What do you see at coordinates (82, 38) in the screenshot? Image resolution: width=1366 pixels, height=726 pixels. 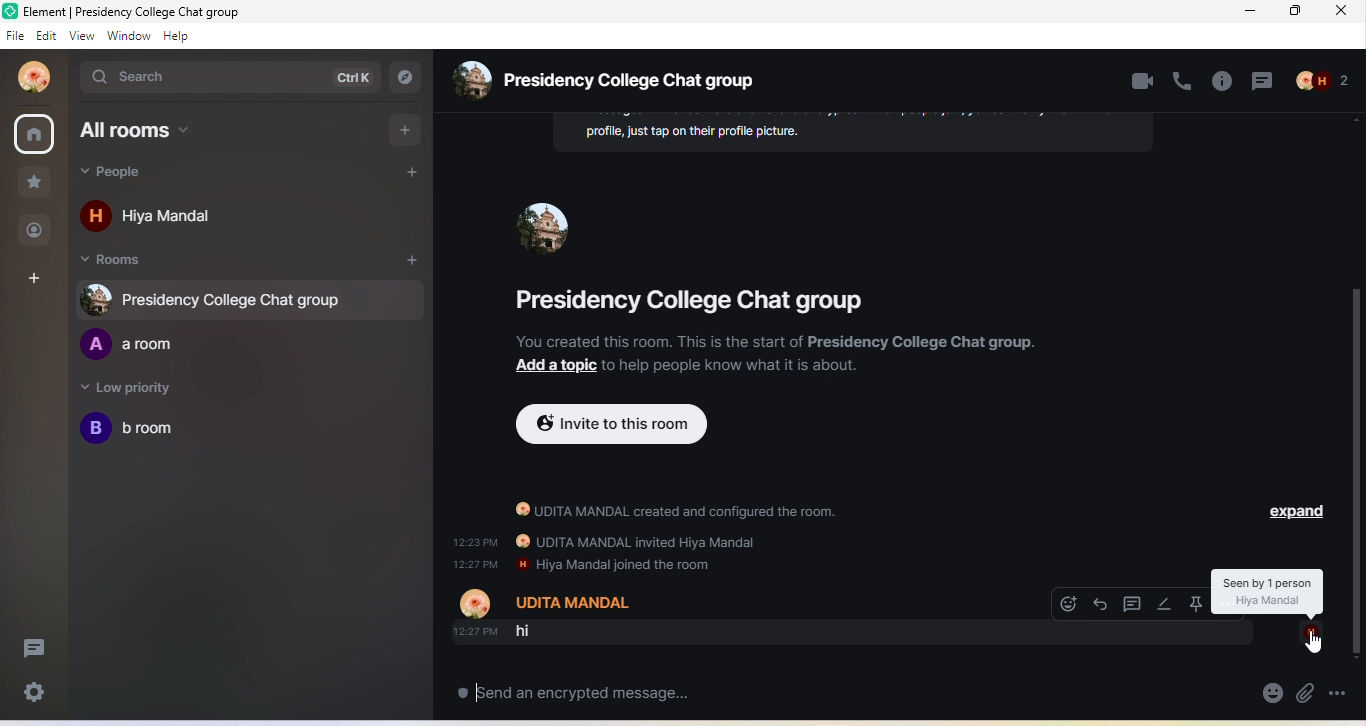 I see `view` at bounding box center [82, 38].